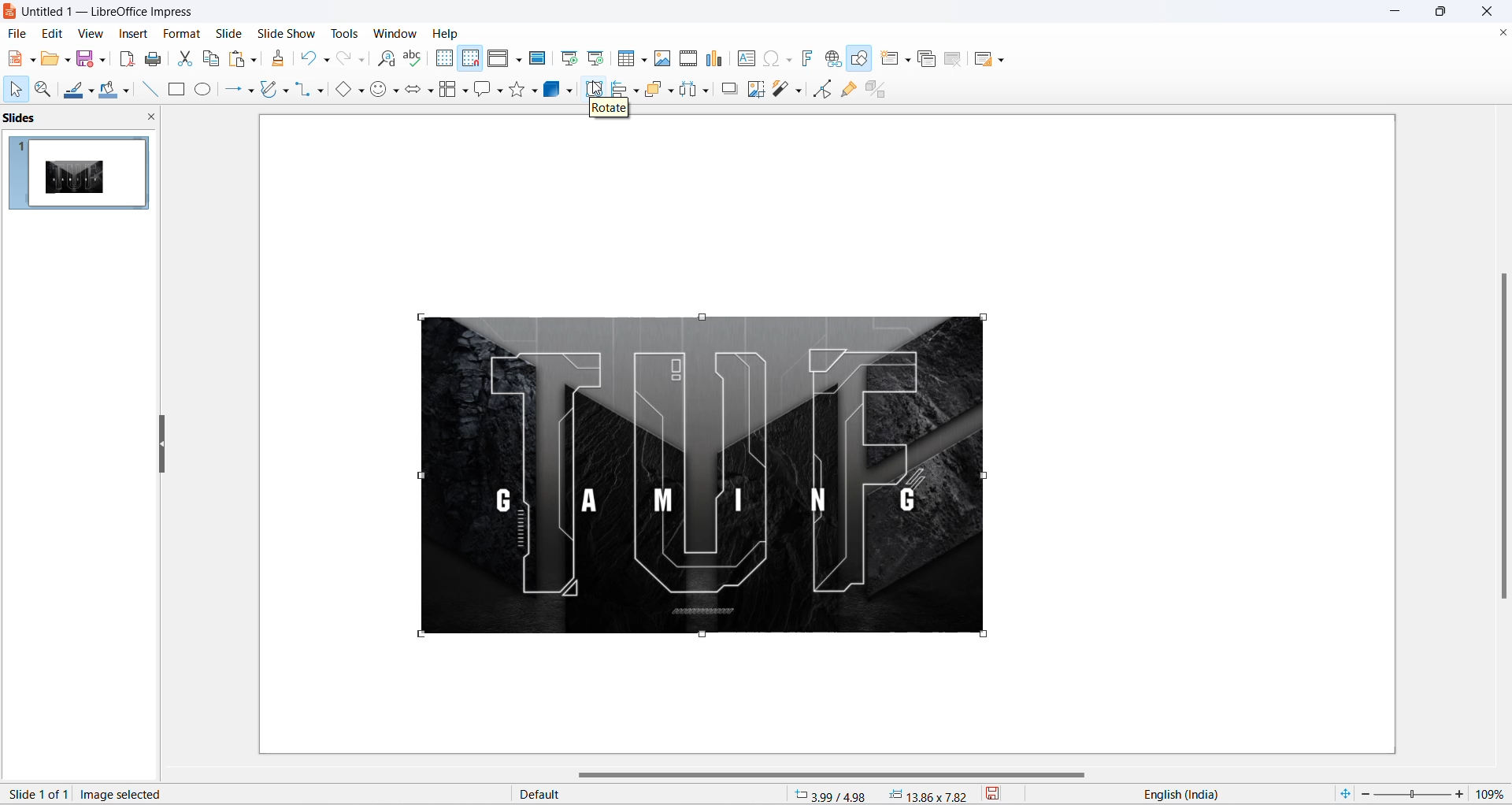 This screenshot has width=1512, height=805. What do you see at coordinates (270, 91) in the screenshot?
I see `curve and polygons` at bounding box center [270, 91].